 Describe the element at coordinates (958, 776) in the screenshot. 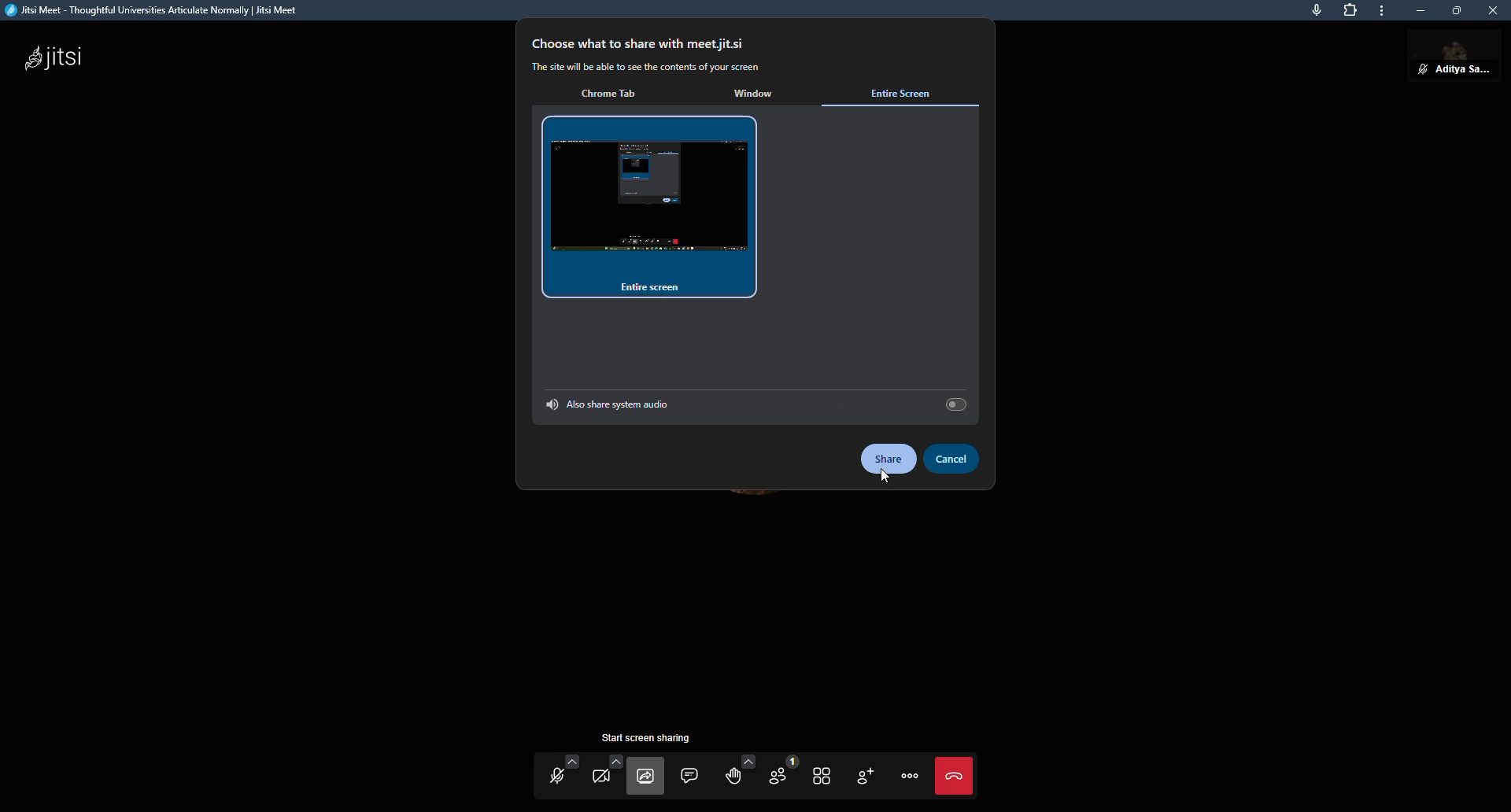

I see `end call` at that location.